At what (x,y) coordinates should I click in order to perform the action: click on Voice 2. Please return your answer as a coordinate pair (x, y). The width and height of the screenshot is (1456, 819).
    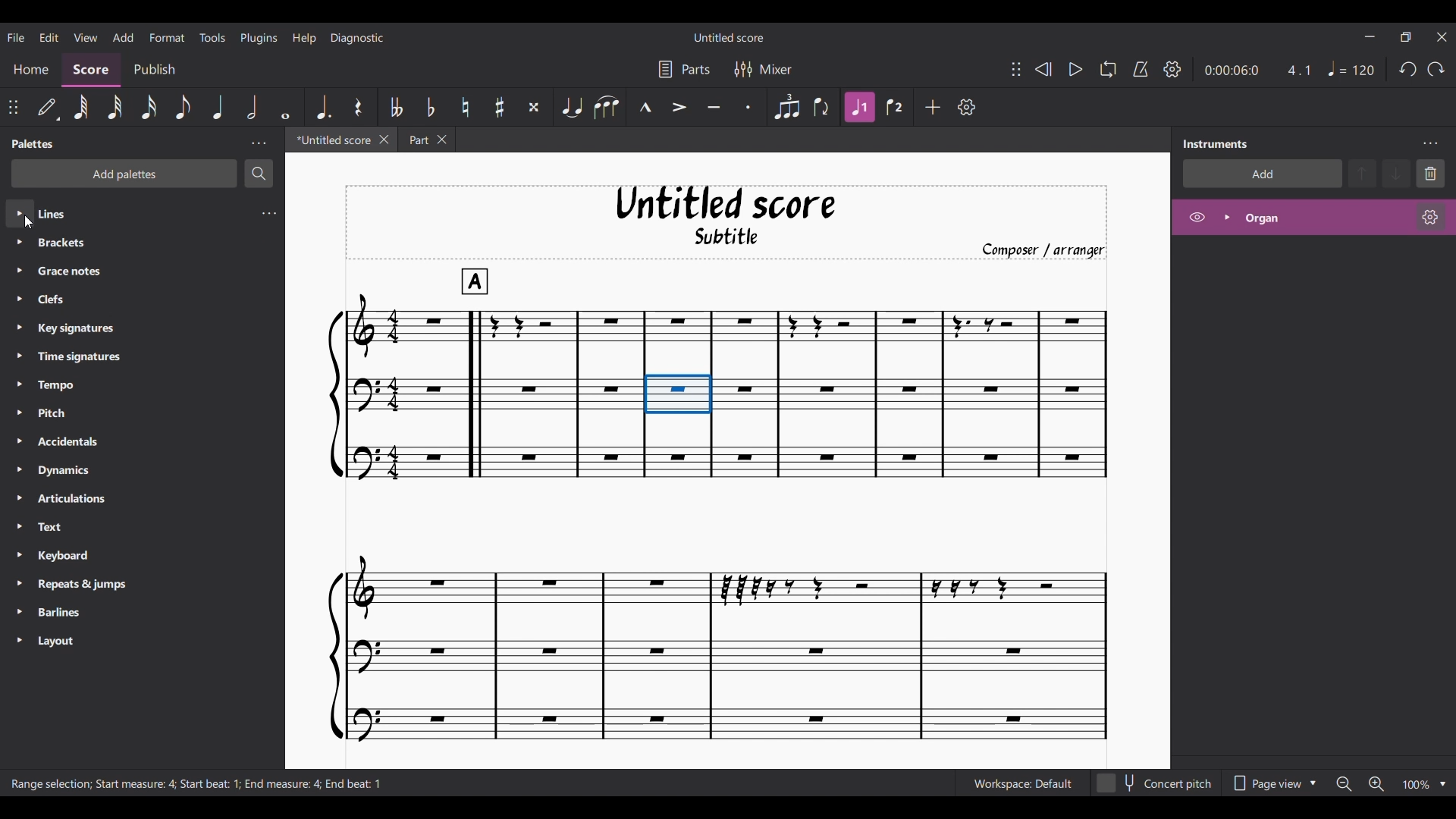
    Looking at the image, I should click on (894, 107).